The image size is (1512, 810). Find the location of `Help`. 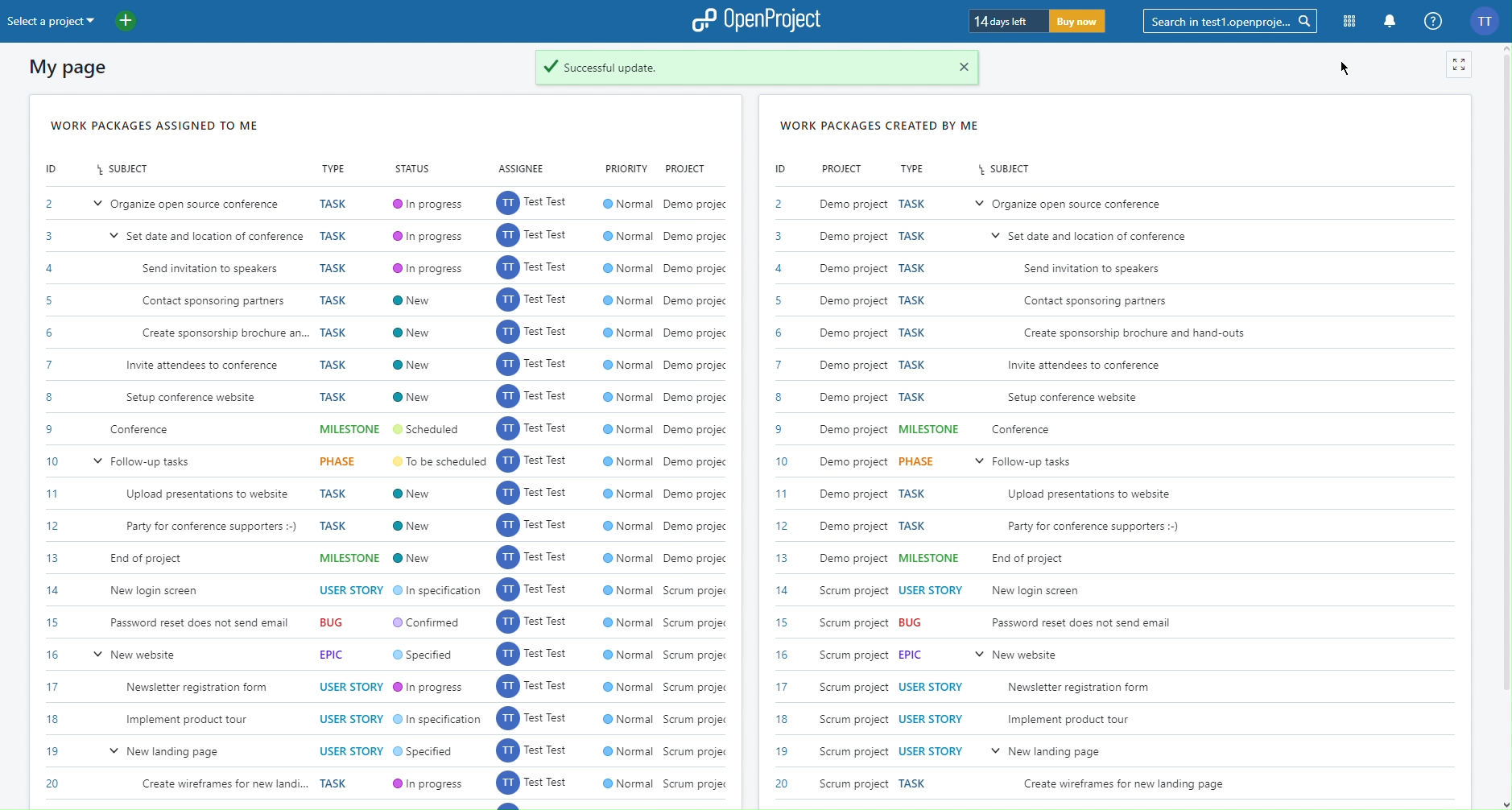

Help is located at coordinates (1433, 22).